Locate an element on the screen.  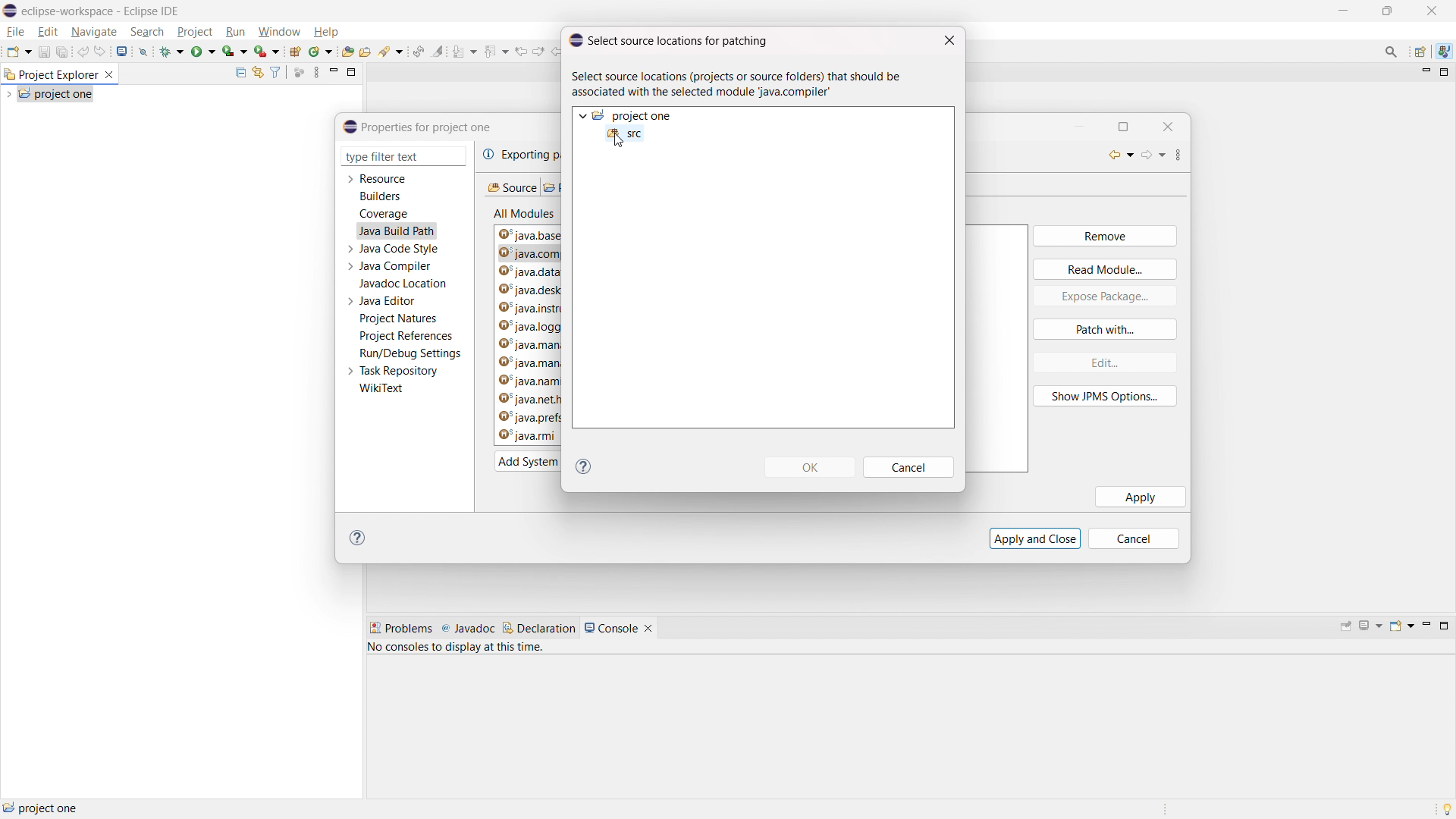
read module is located at coordinates (1105, 268).